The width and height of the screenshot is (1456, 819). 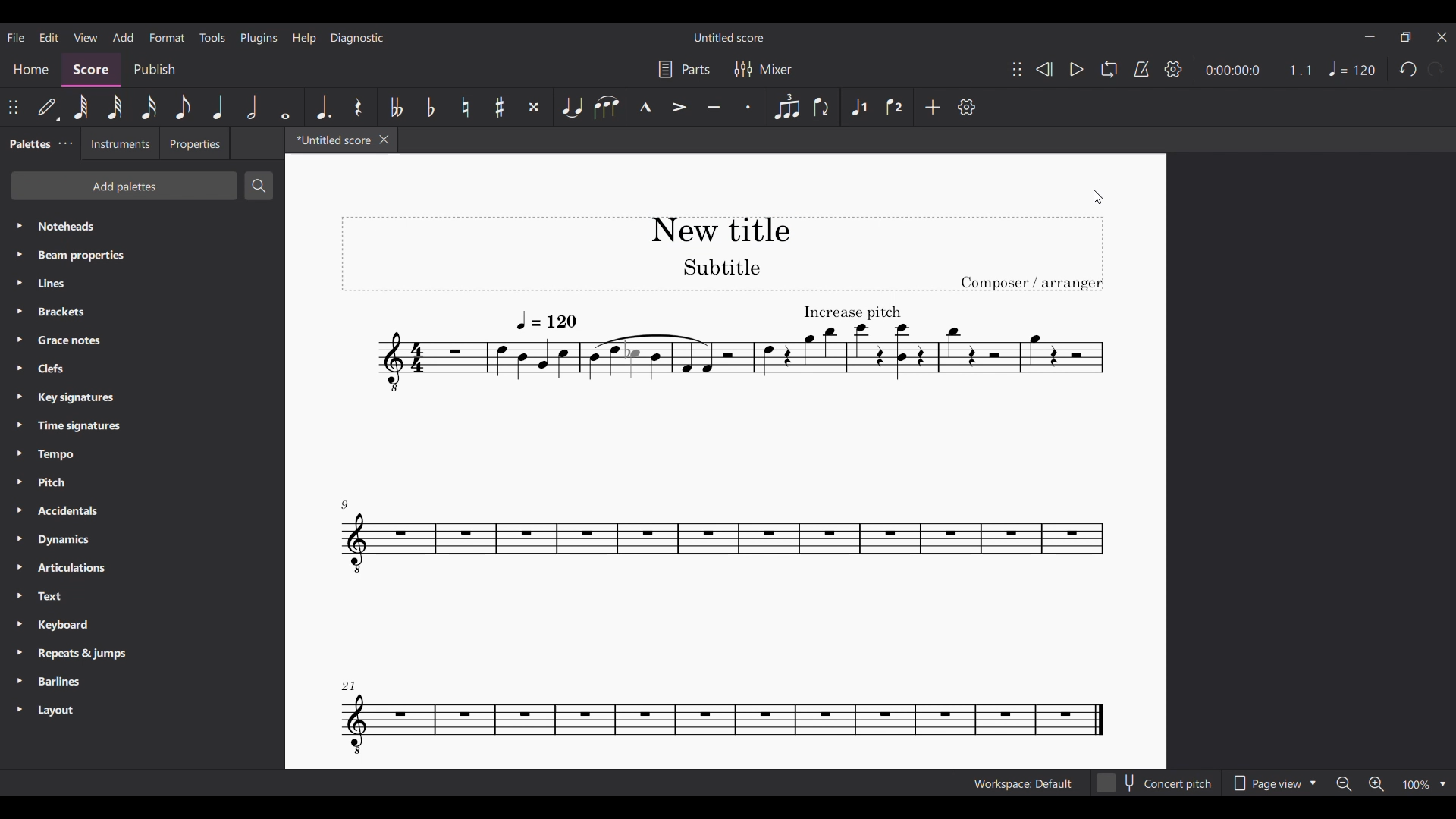 What do you see at coordinates (1376, 784) in the screenshot?
I see `Zoom in` at bounding box center [1376, 784].